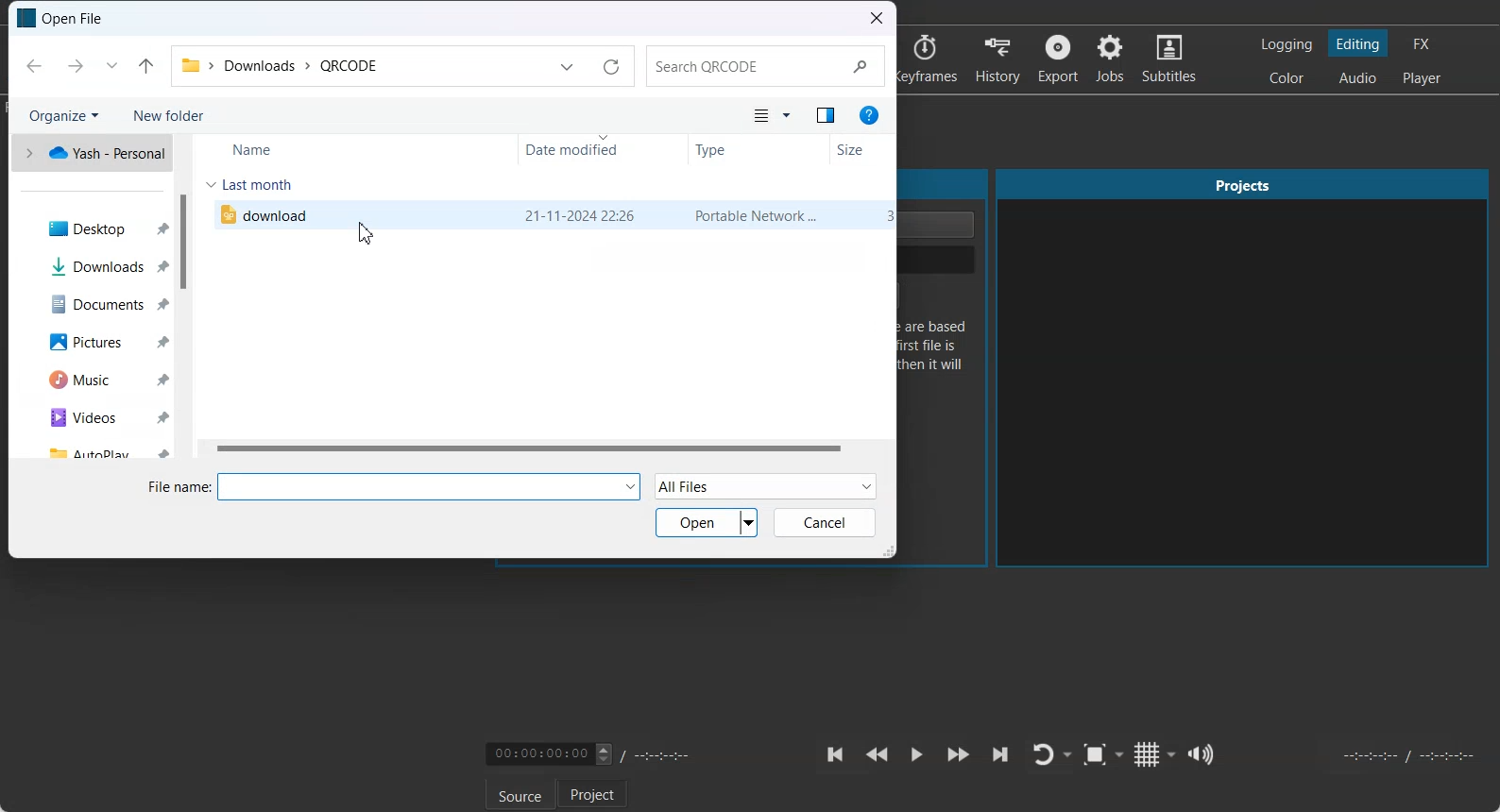 The image size is (1500, 812). I want to click on Size, so click(858, 148).